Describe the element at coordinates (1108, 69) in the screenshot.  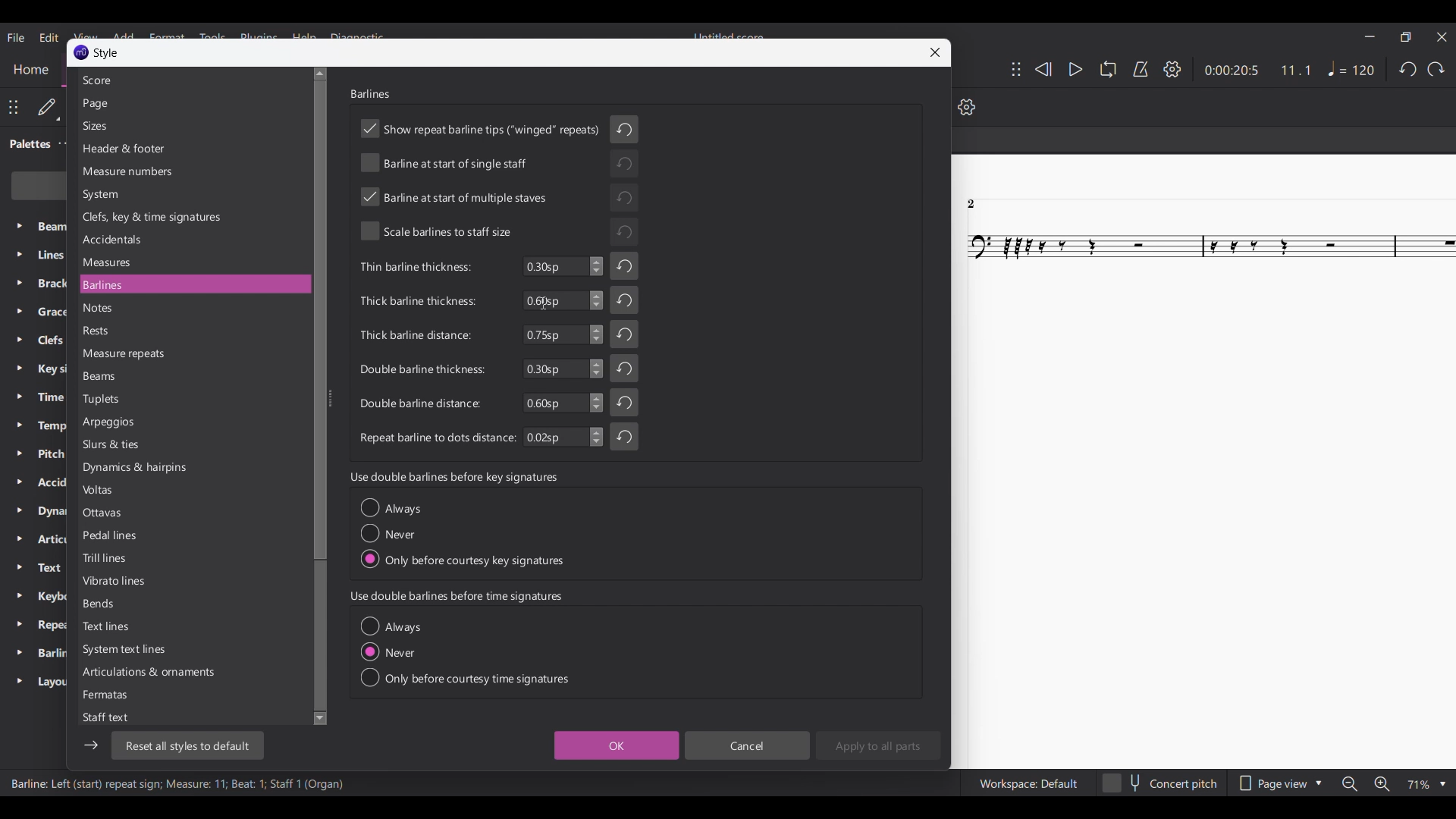
I see `Loop playback` at that location.